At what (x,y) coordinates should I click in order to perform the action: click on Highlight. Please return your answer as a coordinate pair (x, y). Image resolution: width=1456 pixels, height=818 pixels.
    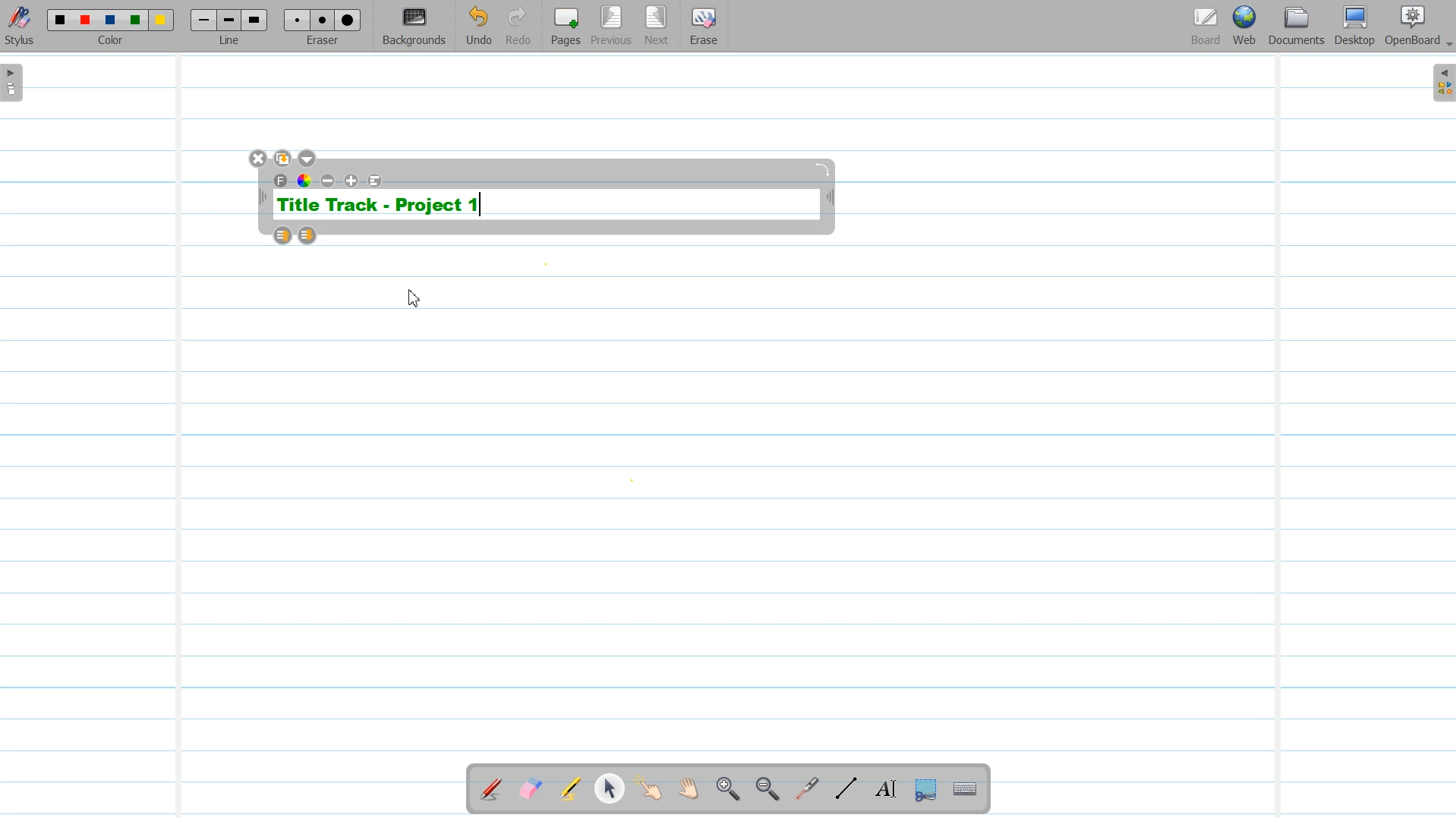
    Looking at the image, I should click on (570, 791).